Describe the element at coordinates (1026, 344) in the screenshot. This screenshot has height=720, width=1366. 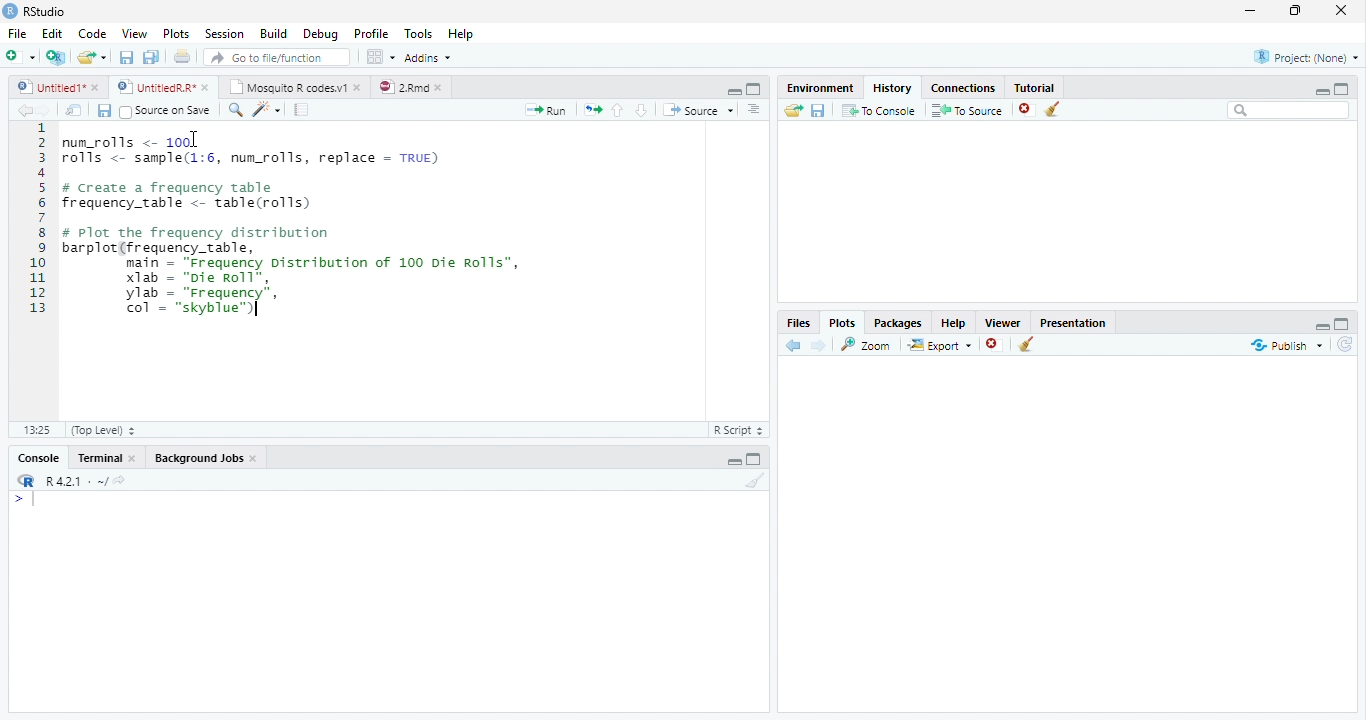
I see `Clear` at that location.